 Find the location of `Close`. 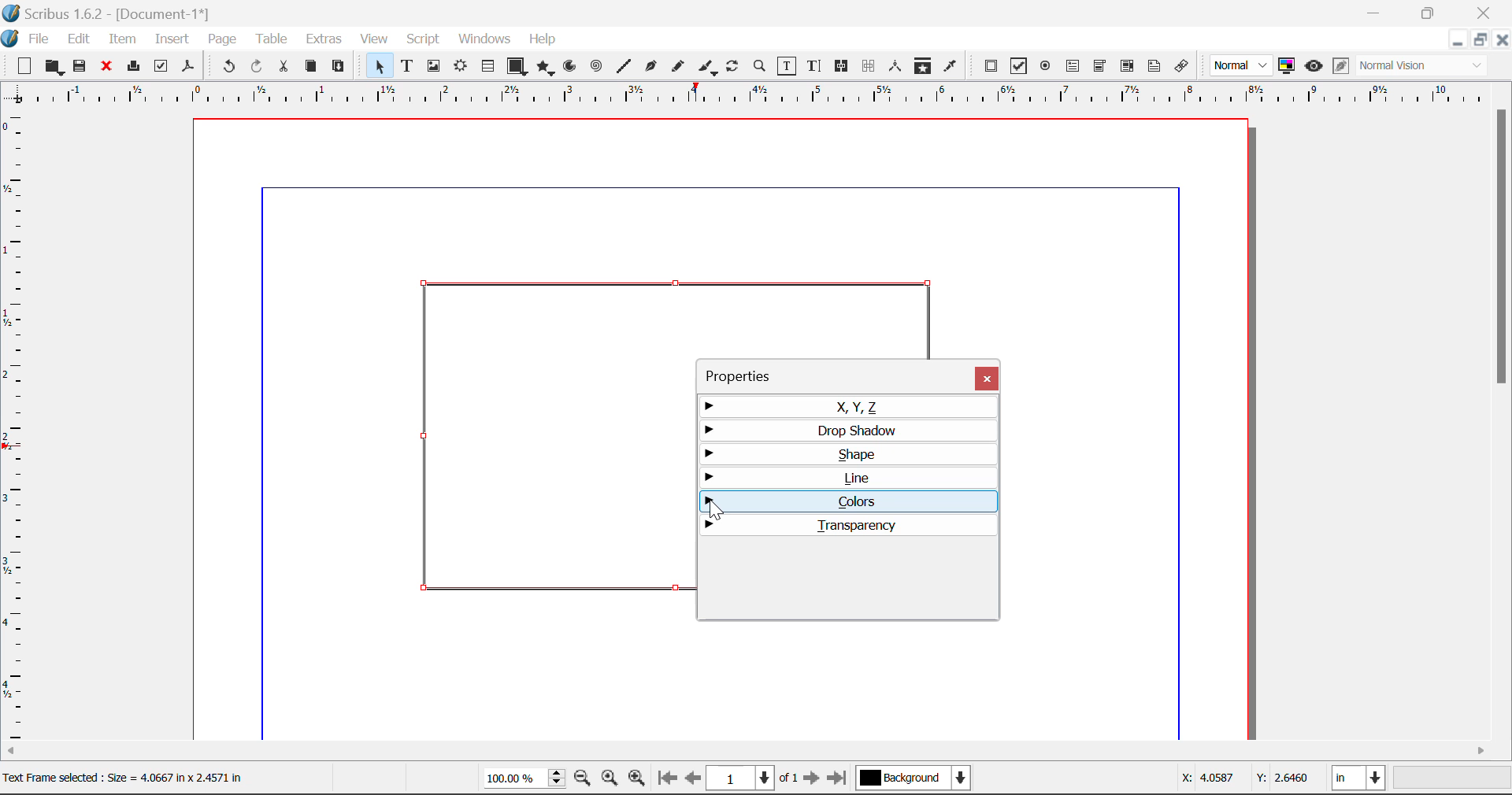

Close is located at coordinates (1485, 13).